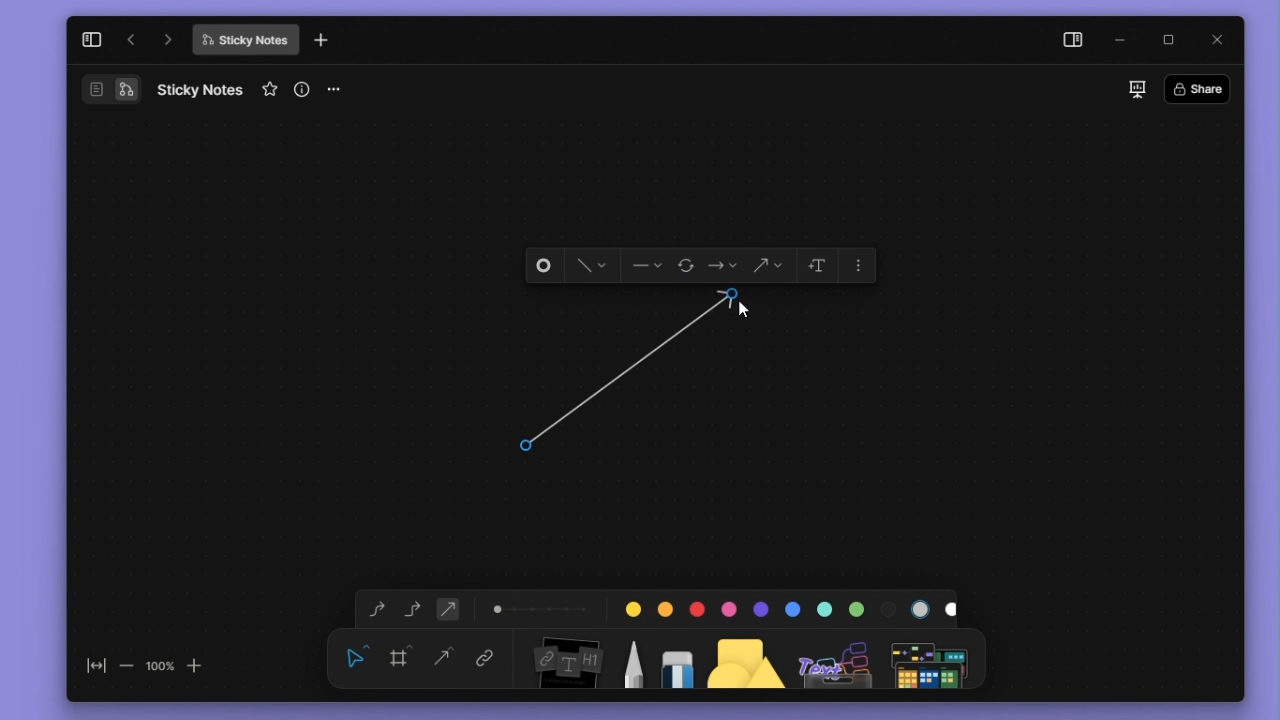  Describe the element at coordinates (245, 40) in the screenshot. I see `file name` at that location.